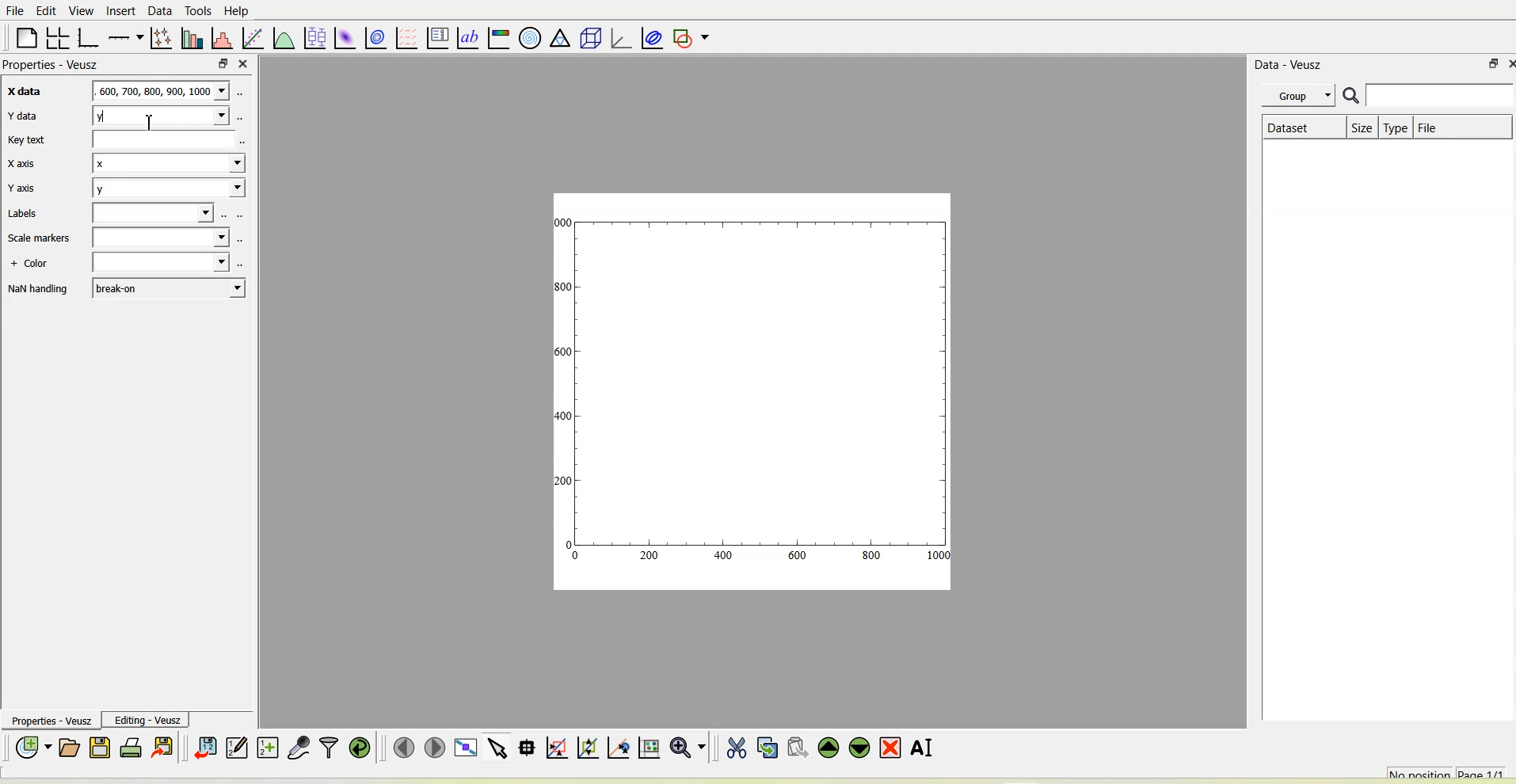 Image resolution: width=1516 pixels, height=784 pixels. I want to click on Click to zoom out of graph axes, so click(589, 749).